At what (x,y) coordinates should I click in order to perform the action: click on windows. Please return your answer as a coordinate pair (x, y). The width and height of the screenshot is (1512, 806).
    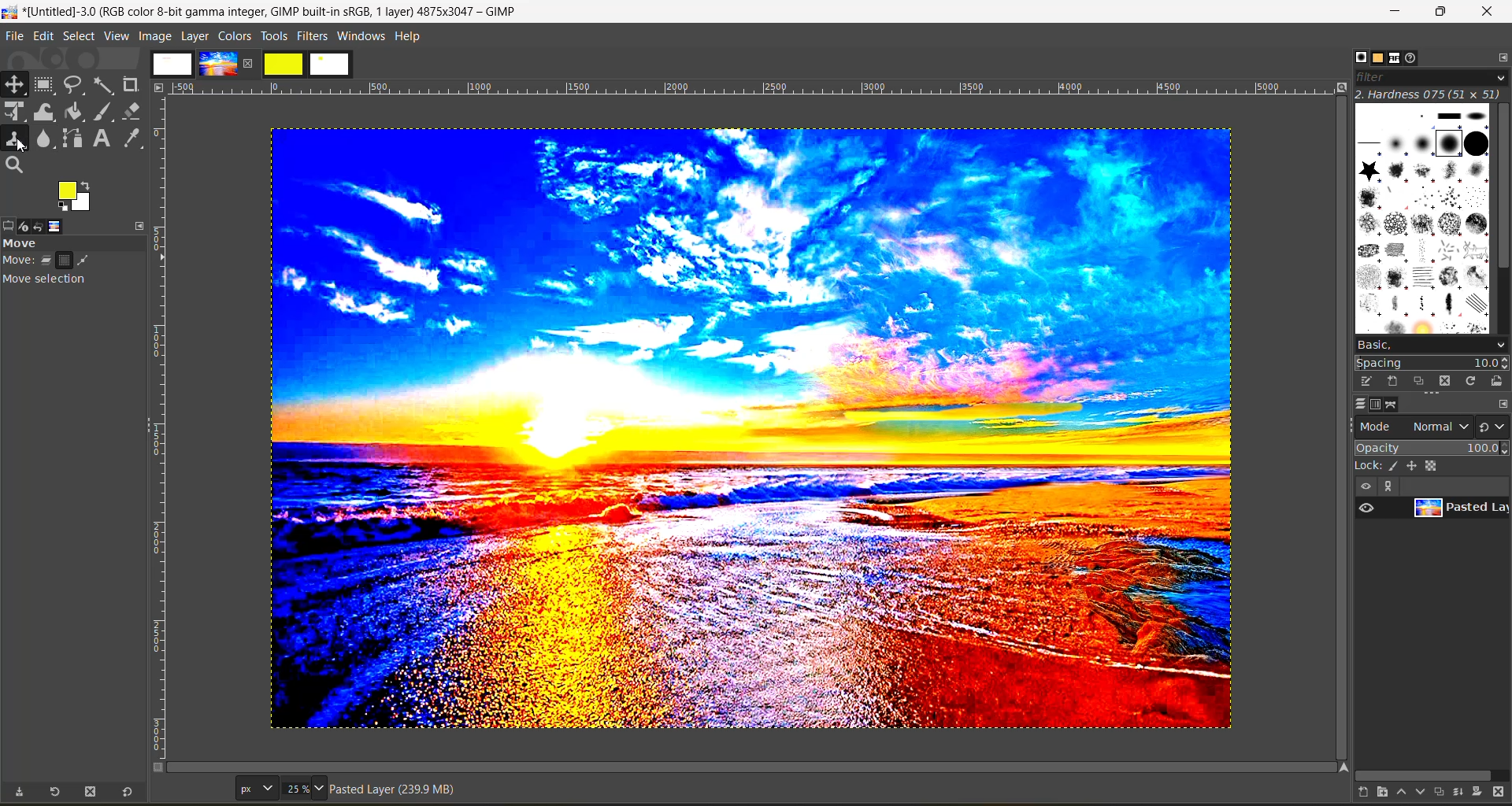
    Looking at the image, I should click on (362, 36).